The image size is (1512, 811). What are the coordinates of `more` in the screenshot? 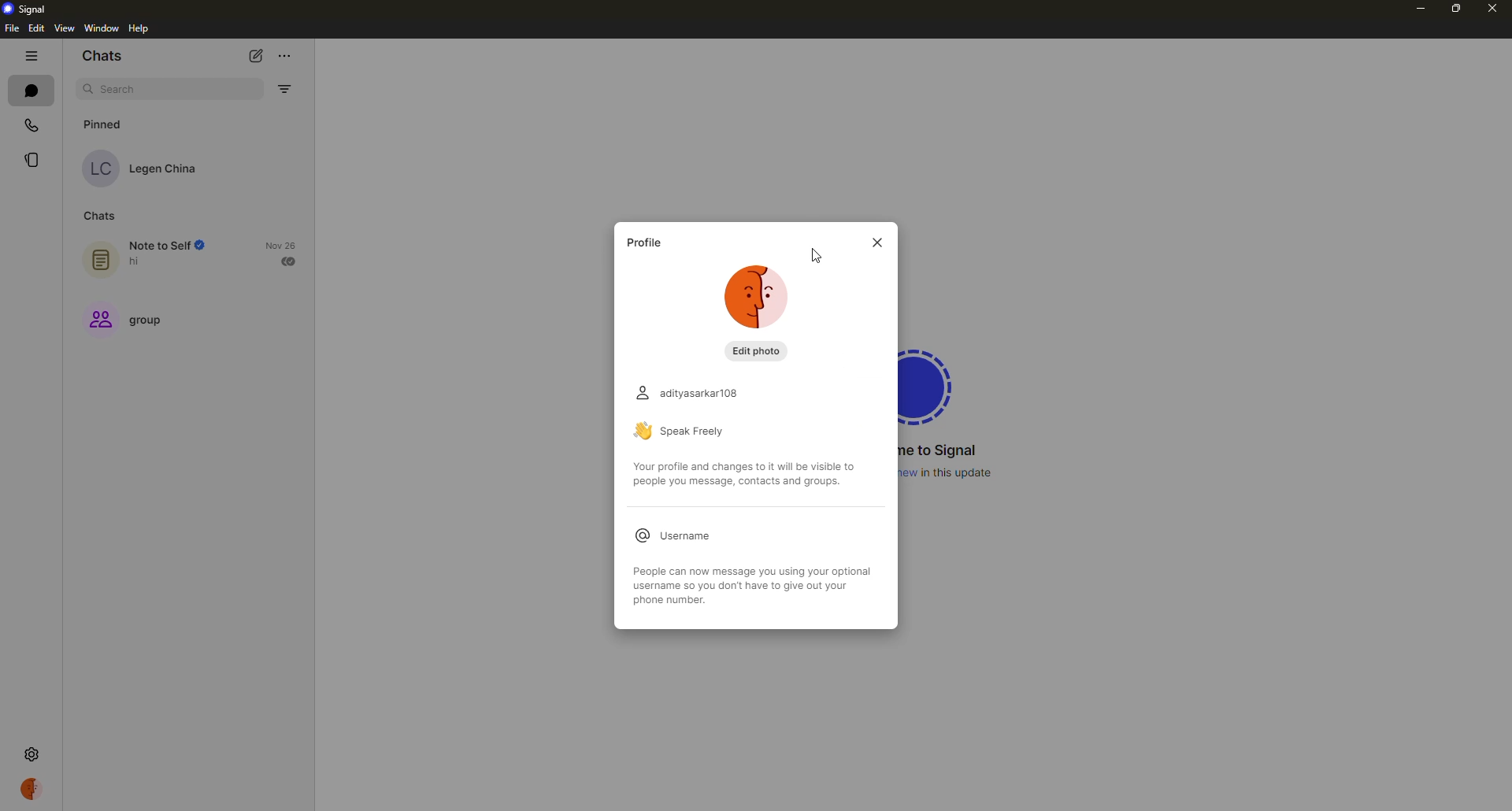 It's located at (286, 52).